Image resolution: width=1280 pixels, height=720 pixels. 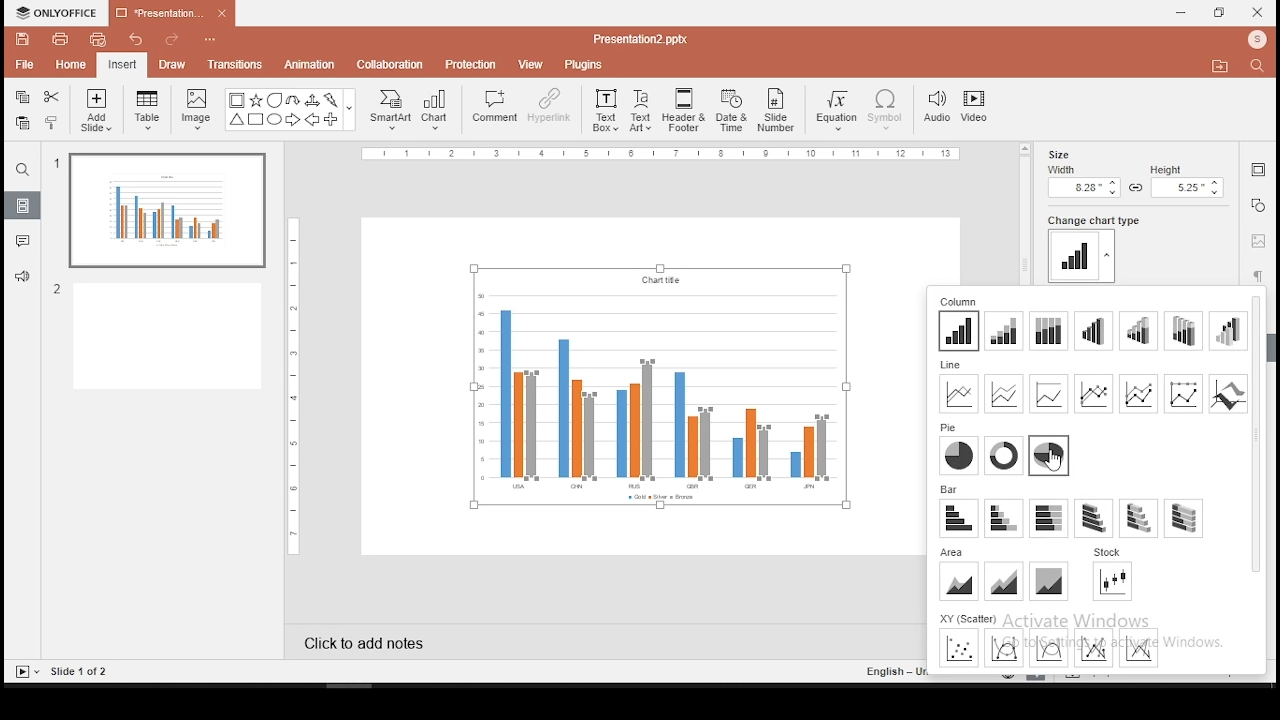 What do you see at coordinates (172, 65) in the screenshot?
I see `draw` at bounding box center [172, 65].